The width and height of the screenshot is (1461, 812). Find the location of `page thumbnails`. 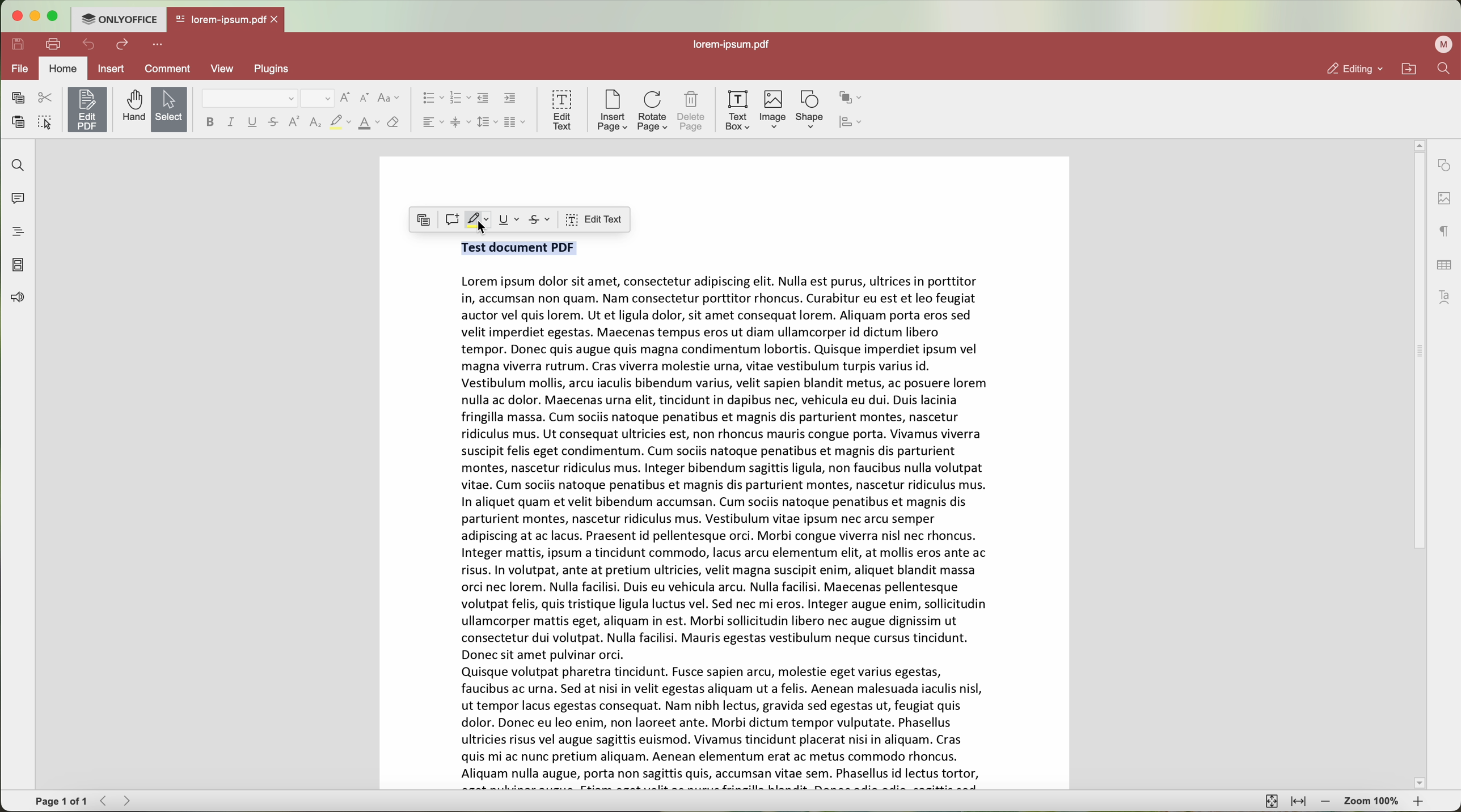

page thumbnails is located at coordinates (16, 266).